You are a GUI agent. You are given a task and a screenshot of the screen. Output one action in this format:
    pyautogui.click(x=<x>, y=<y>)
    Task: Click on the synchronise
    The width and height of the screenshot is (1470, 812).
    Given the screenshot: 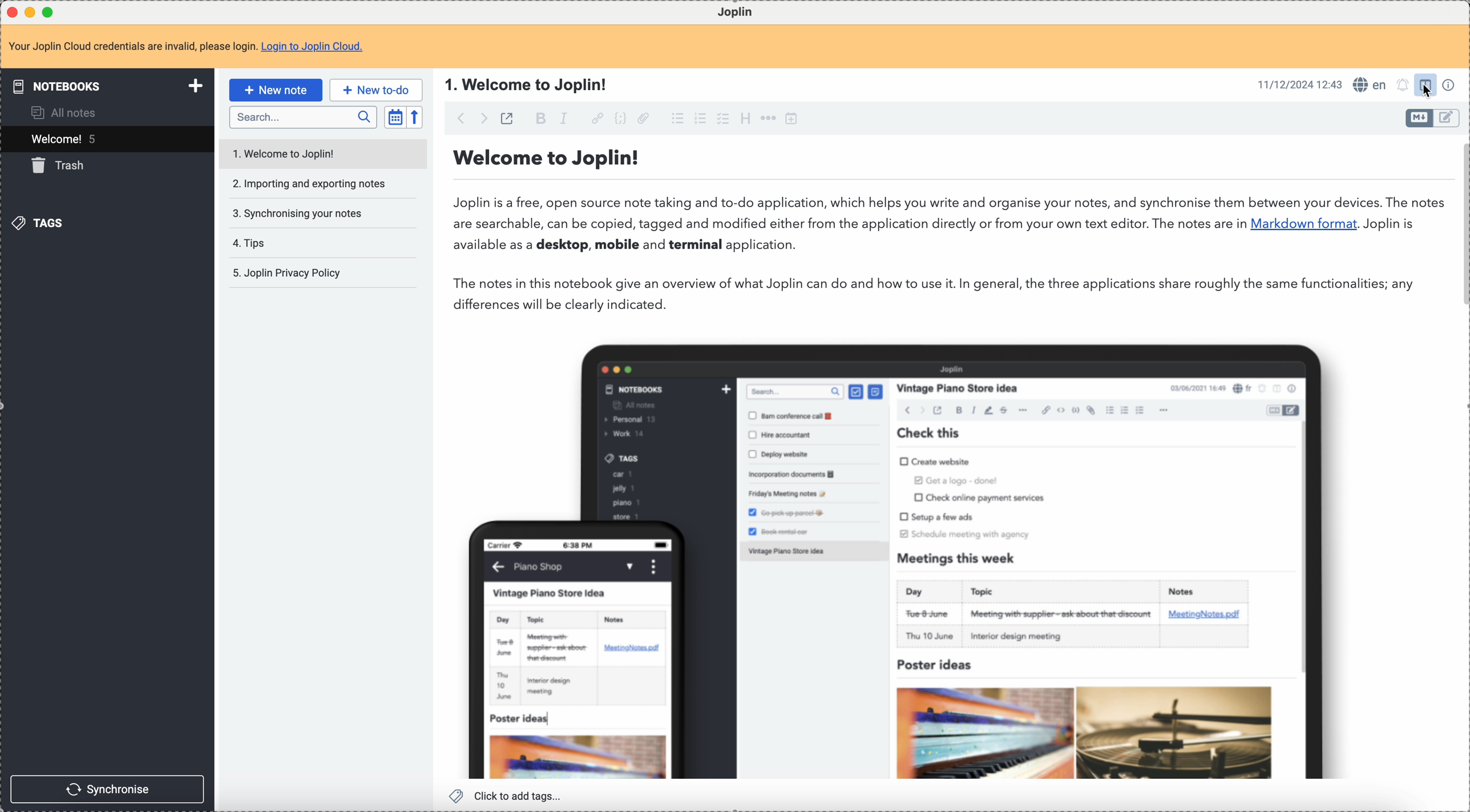 What is the action you would take?
    pyautogui.click(x=108, y=789)
    